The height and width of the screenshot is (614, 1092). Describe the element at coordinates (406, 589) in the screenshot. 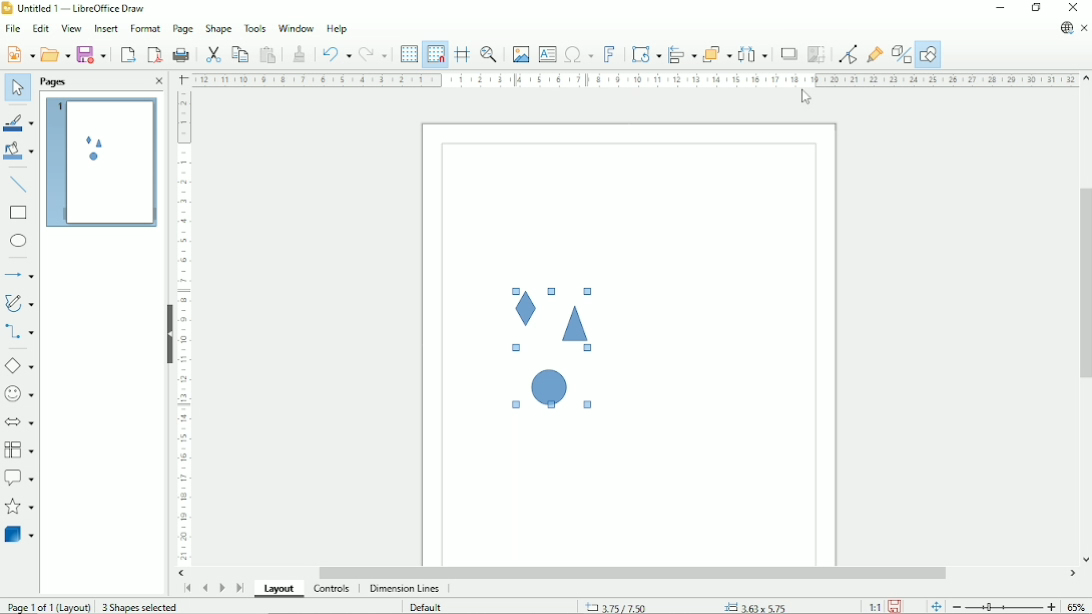

I see `Dimension lines` at that location.